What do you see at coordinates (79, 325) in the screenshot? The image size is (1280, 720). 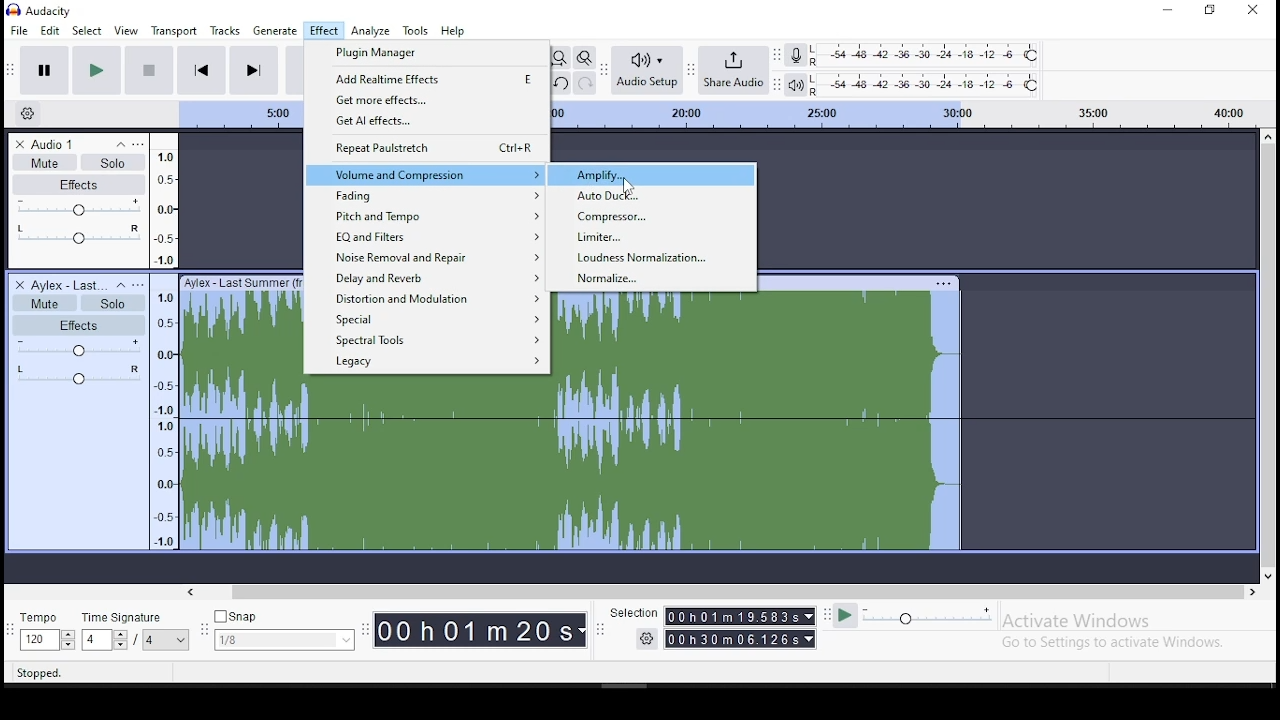 I see `effects` at bounding box center [79, 325].